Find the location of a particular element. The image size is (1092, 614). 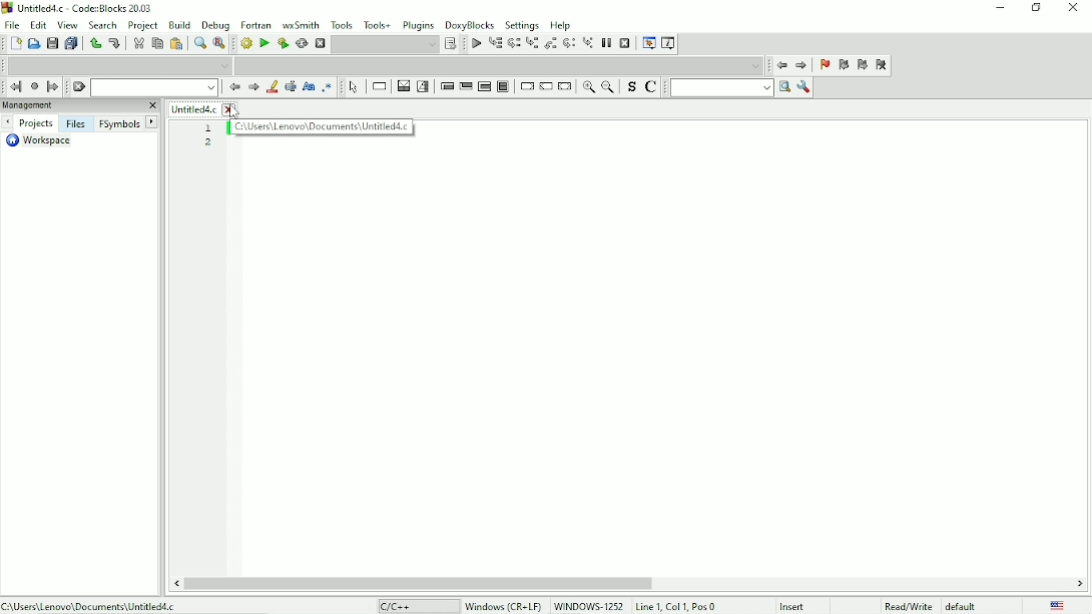

Selection is located at coordinates (424, 87).